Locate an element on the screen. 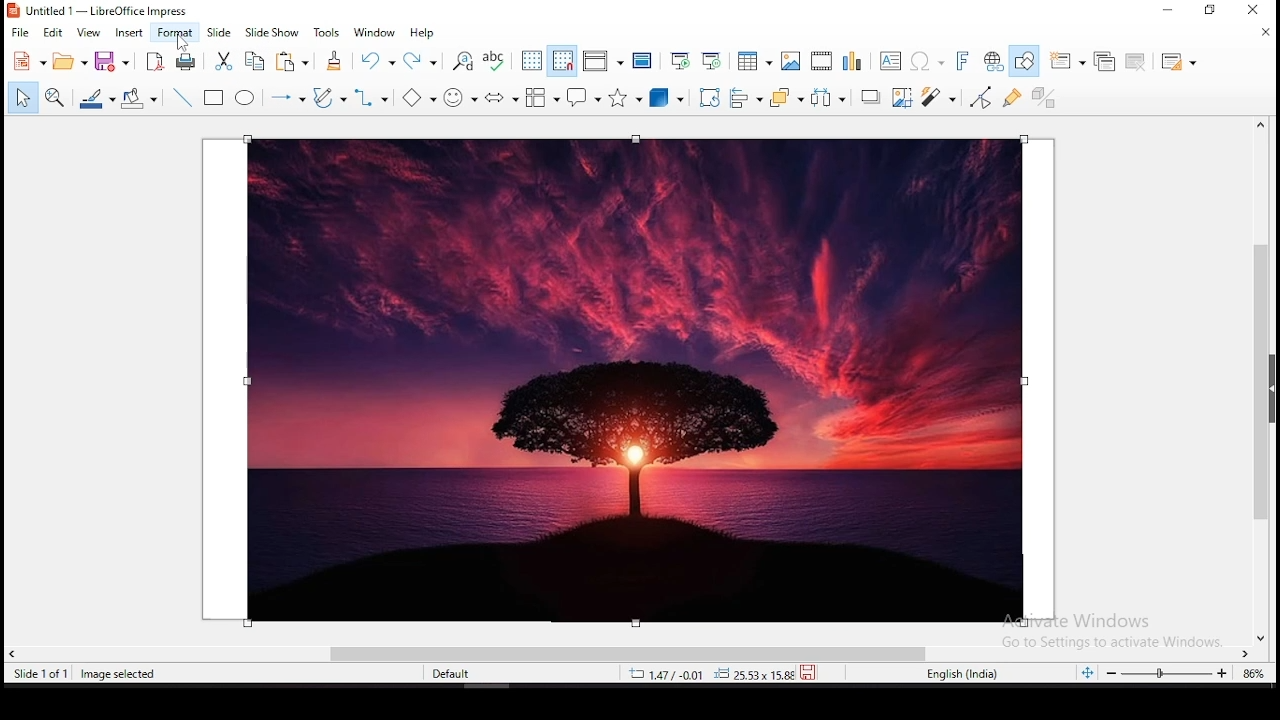 The height and width of the screenshot is (720, 1280). format is located at coordinates (176, 34).